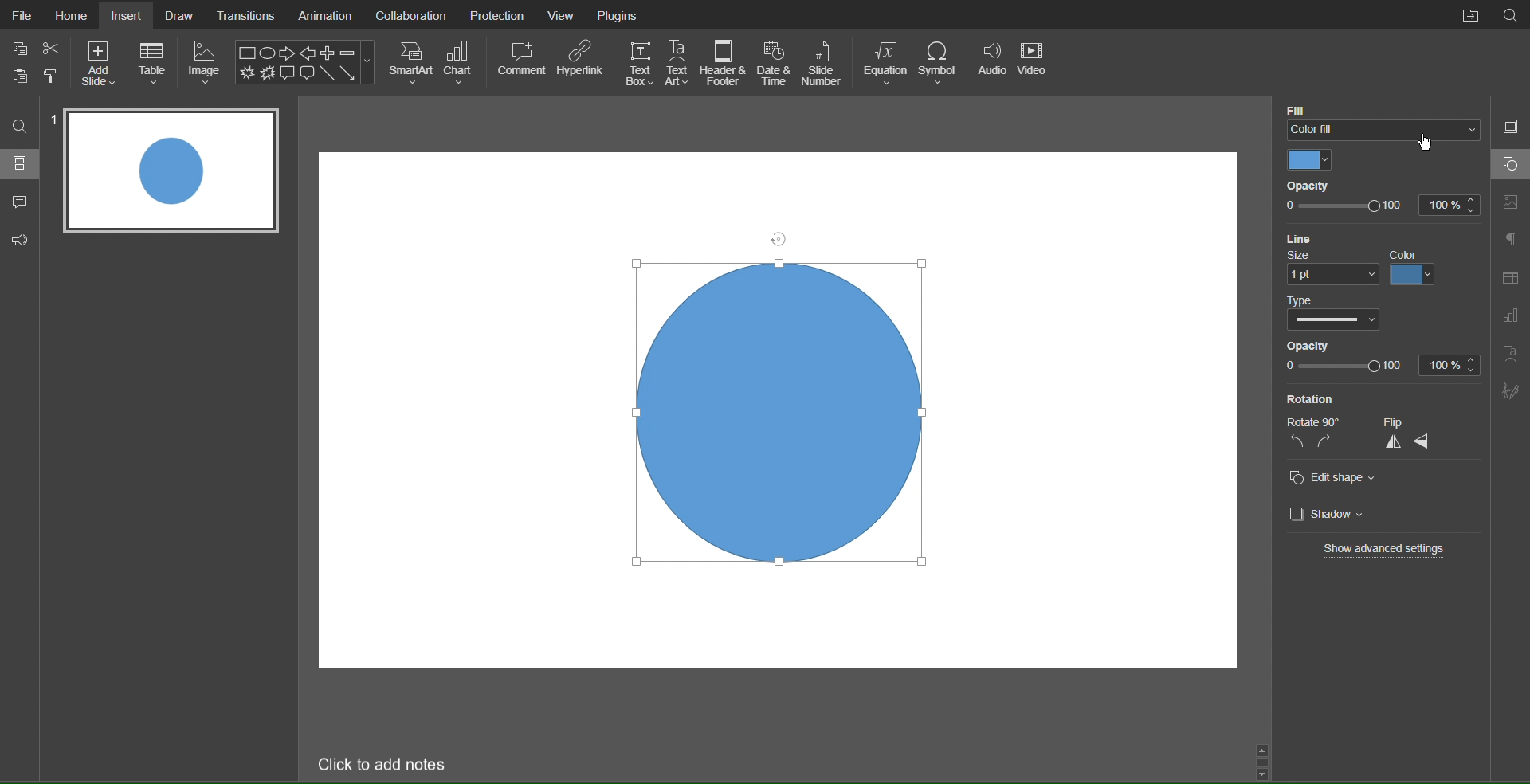 The height and width of the screenshot is (784, 1530). What do you see at coordinates (565, 15) in the screenshot?
I see `View` at bounding box center [565, 15].